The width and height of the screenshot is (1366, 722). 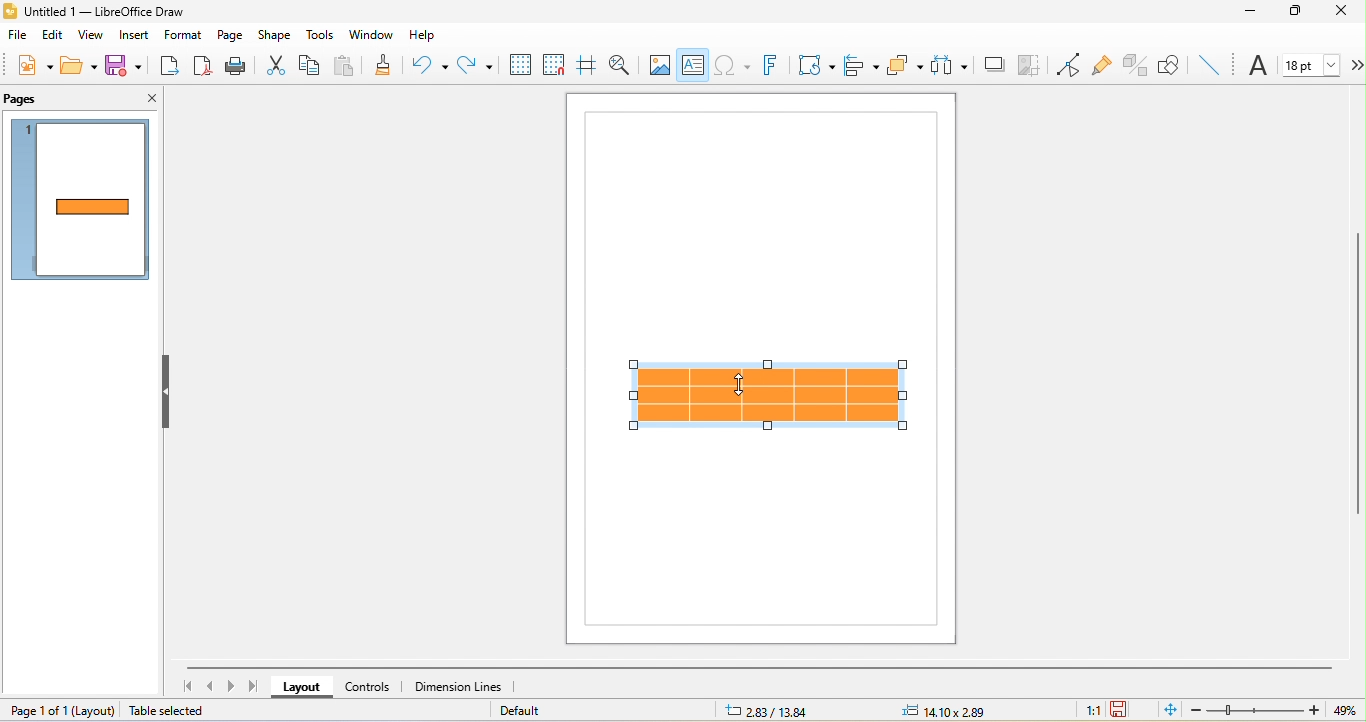 What do you see at coordinates (905, 64) in the screenshot?
I see `arrange` at bounding box center [905, 64].